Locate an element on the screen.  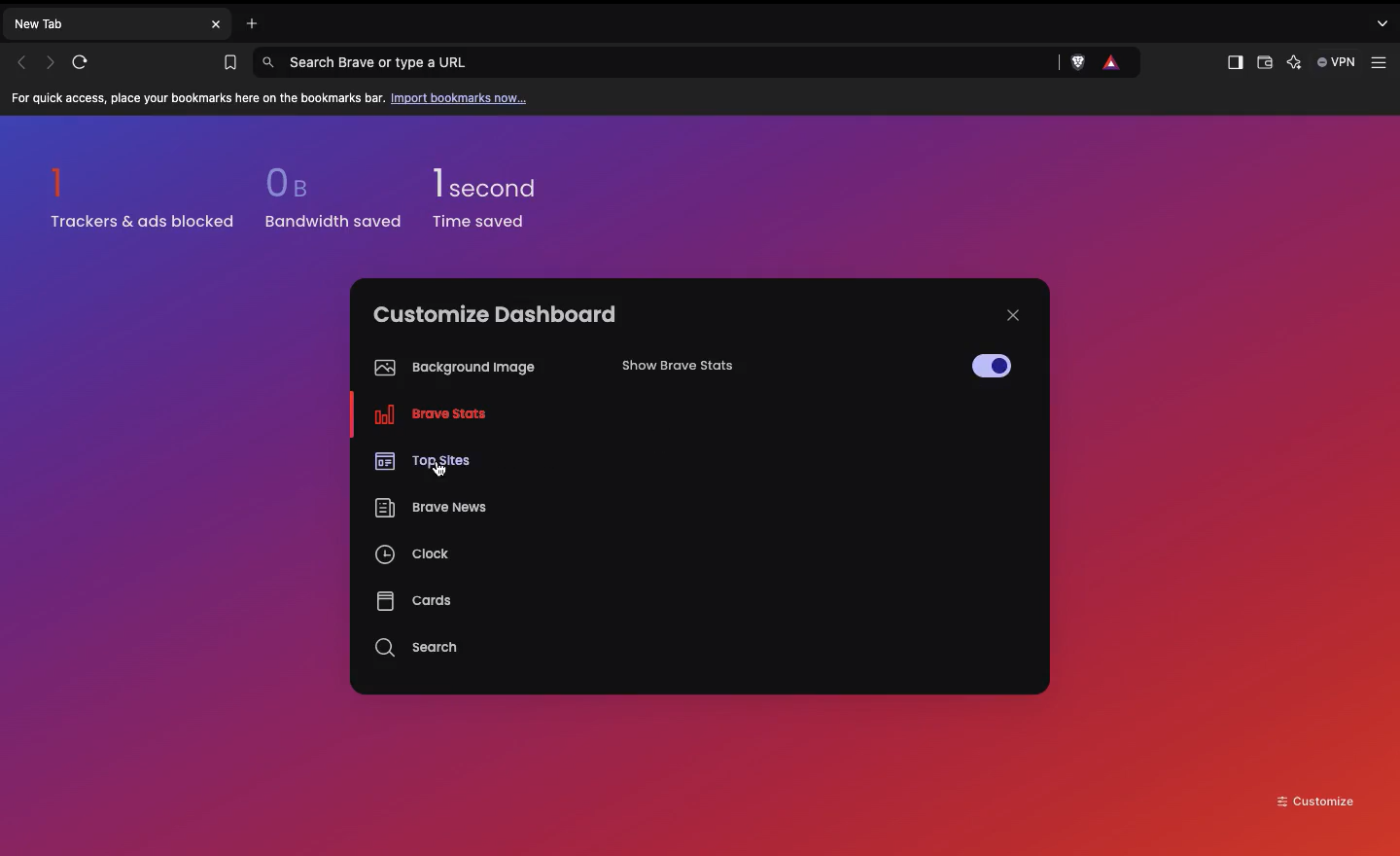
Customize dashboard is located at coordinates (495, 314).